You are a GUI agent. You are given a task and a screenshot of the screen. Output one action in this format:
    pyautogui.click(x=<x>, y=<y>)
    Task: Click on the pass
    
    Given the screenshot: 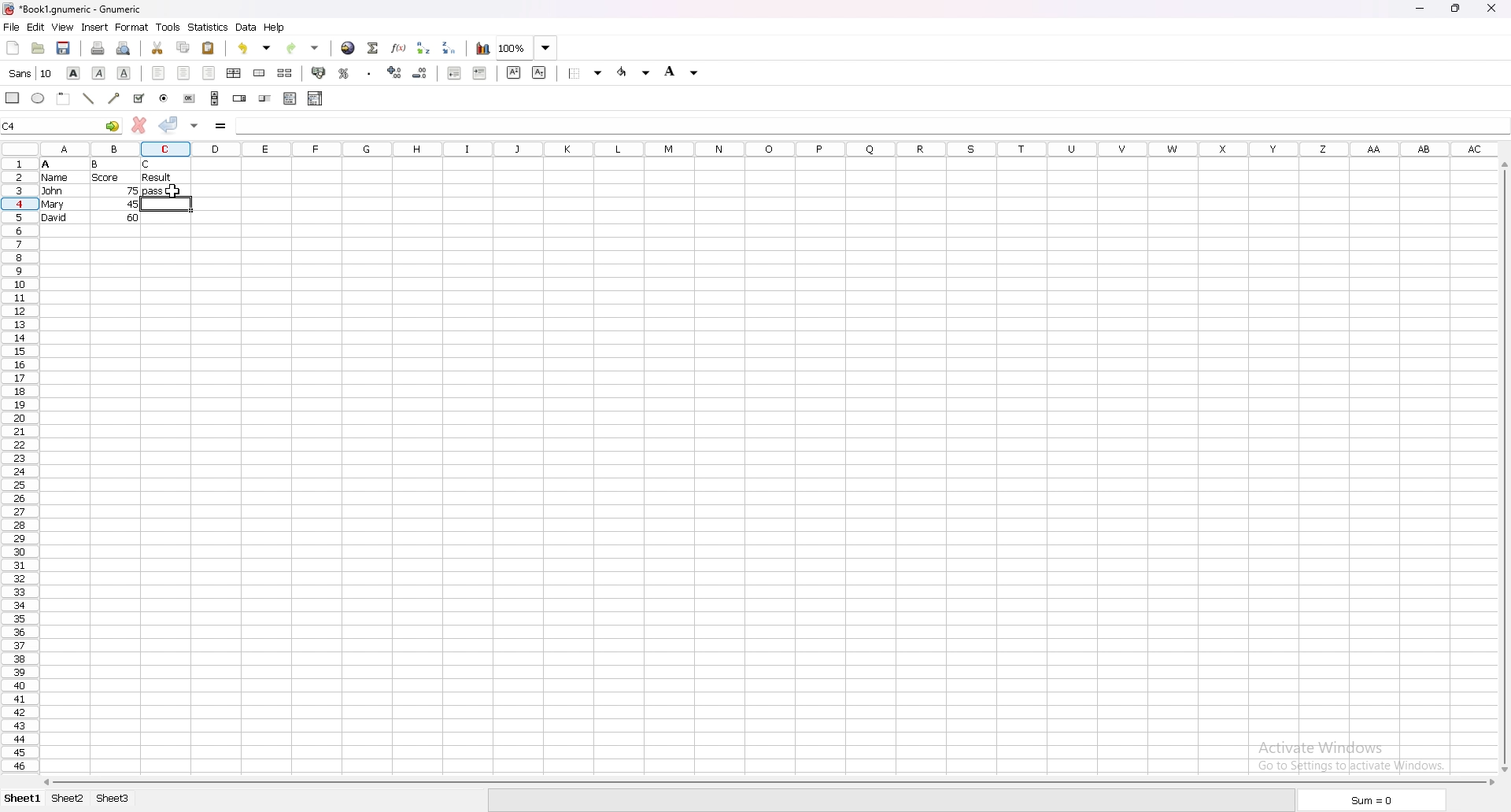 What is the action you would take?
    pyautogui.click(x=165, y=192)
    